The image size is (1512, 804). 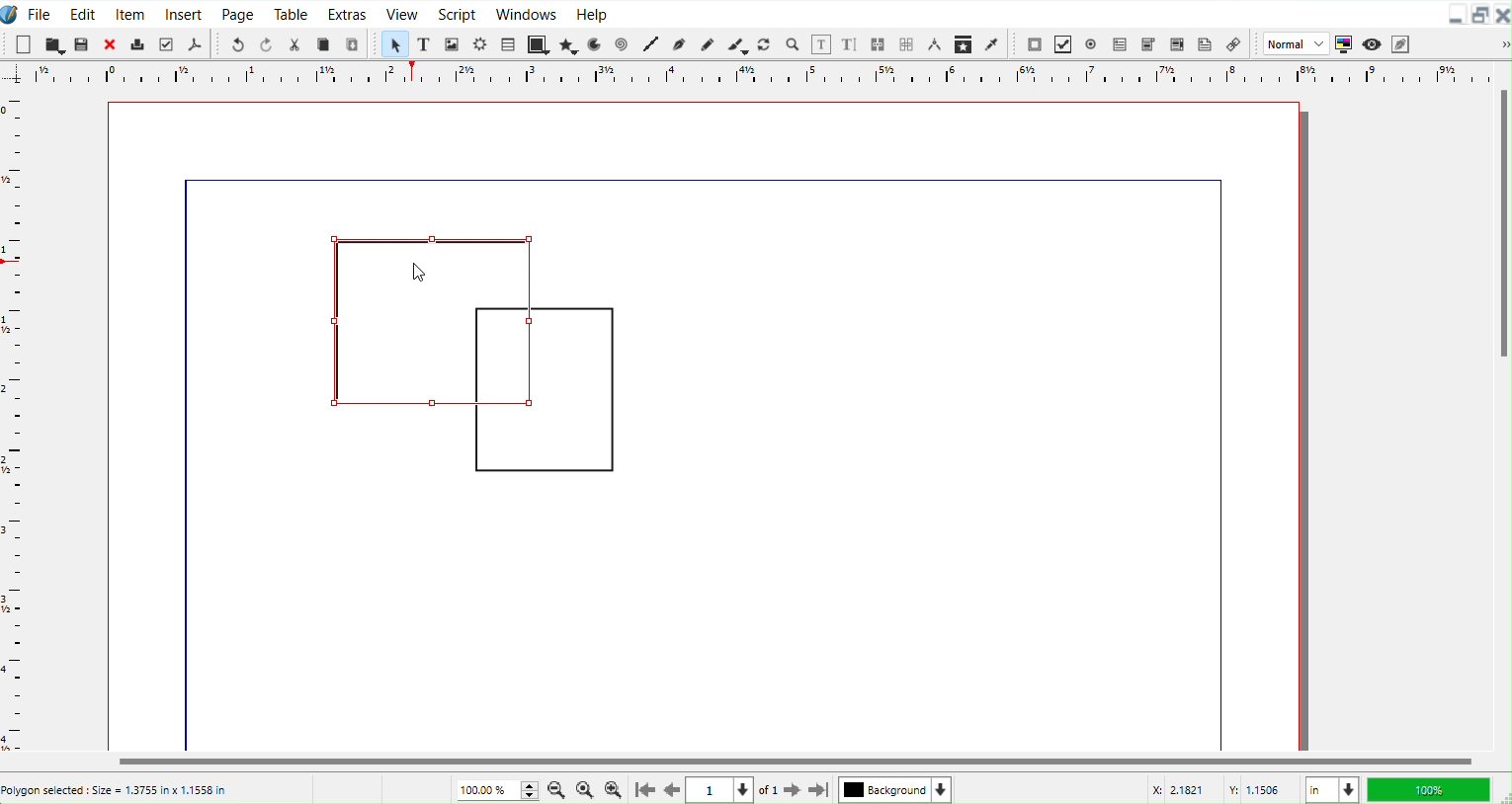 I want to click on Normal, so click(x=1294, y=43).